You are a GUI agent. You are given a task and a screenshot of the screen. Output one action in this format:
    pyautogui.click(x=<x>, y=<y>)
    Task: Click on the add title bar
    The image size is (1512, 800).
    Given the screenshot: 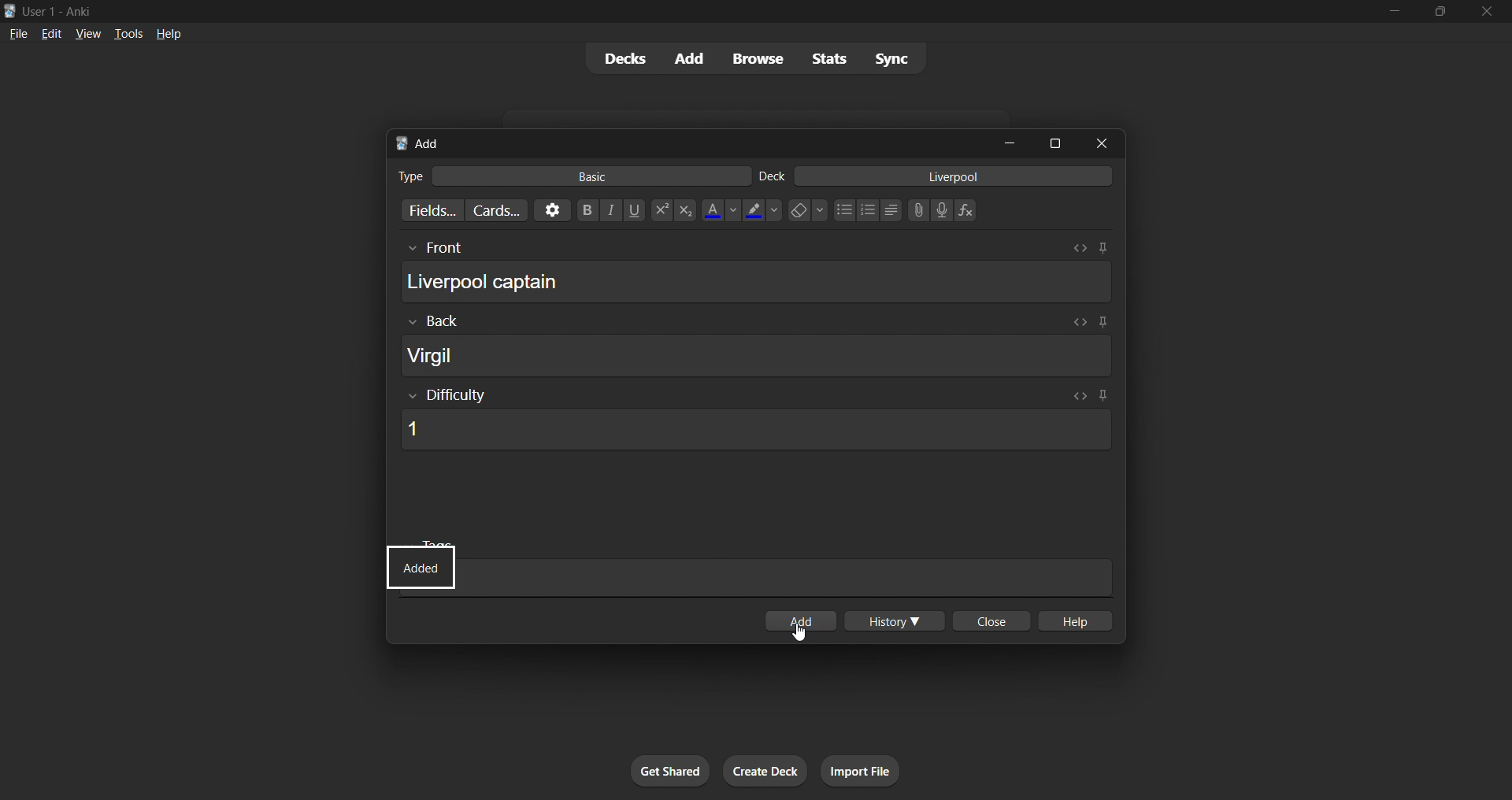 What is the action you would take?
    pyautogui.click(x=428, y=143)
    